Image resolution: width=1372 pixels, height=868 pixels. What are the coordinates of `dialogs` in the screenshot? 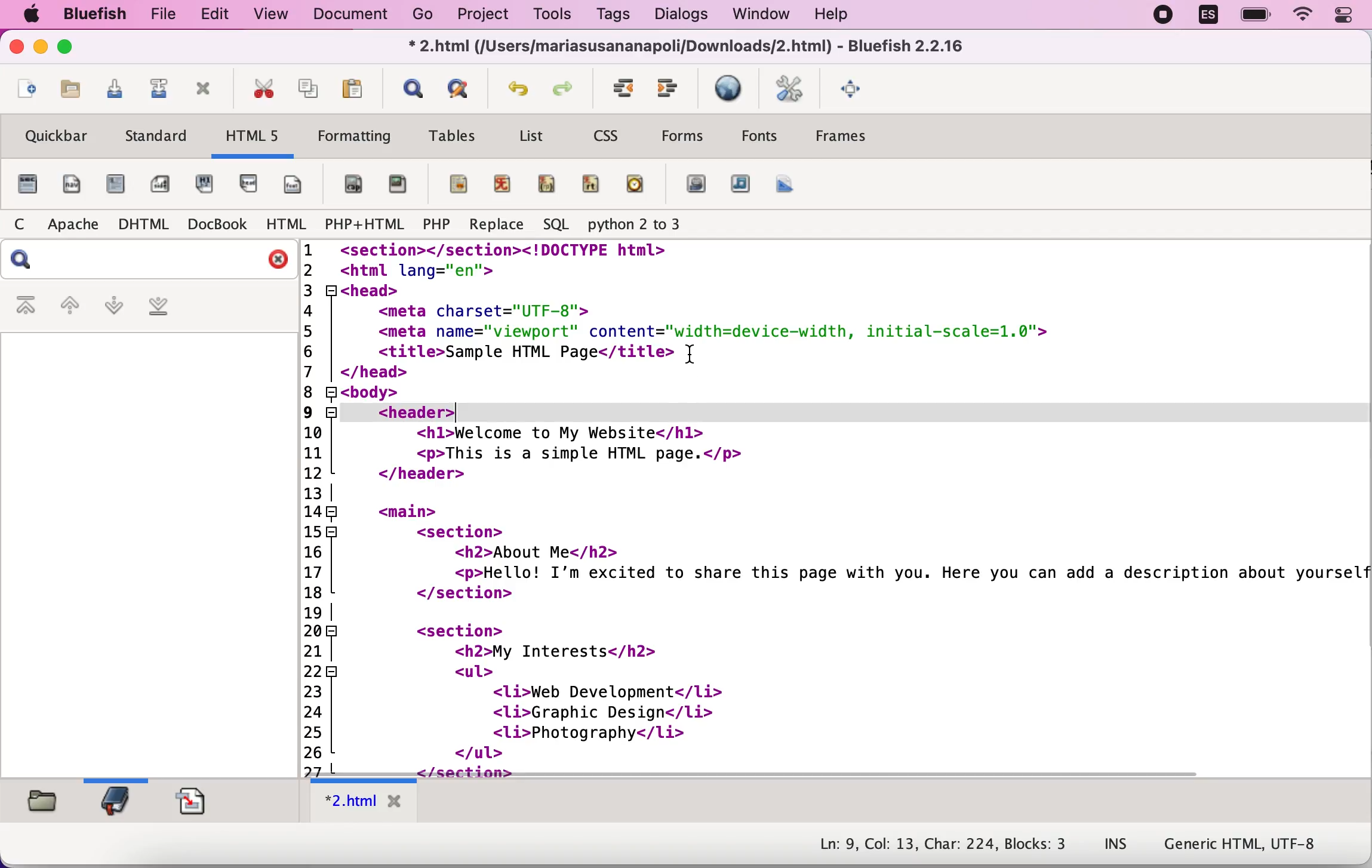 It's located at (682, 14).